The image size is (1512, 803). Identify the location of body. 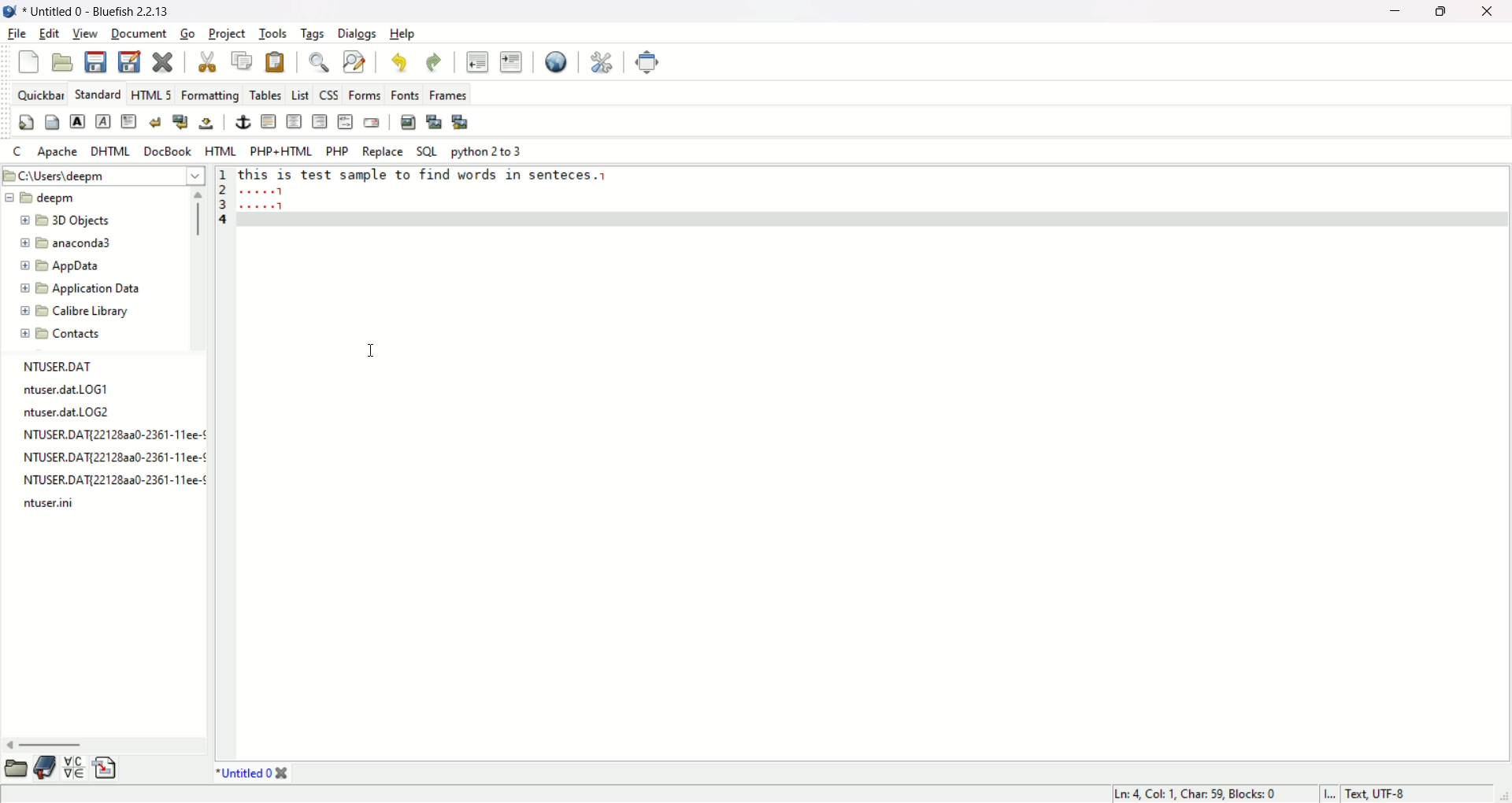
(53, 123).